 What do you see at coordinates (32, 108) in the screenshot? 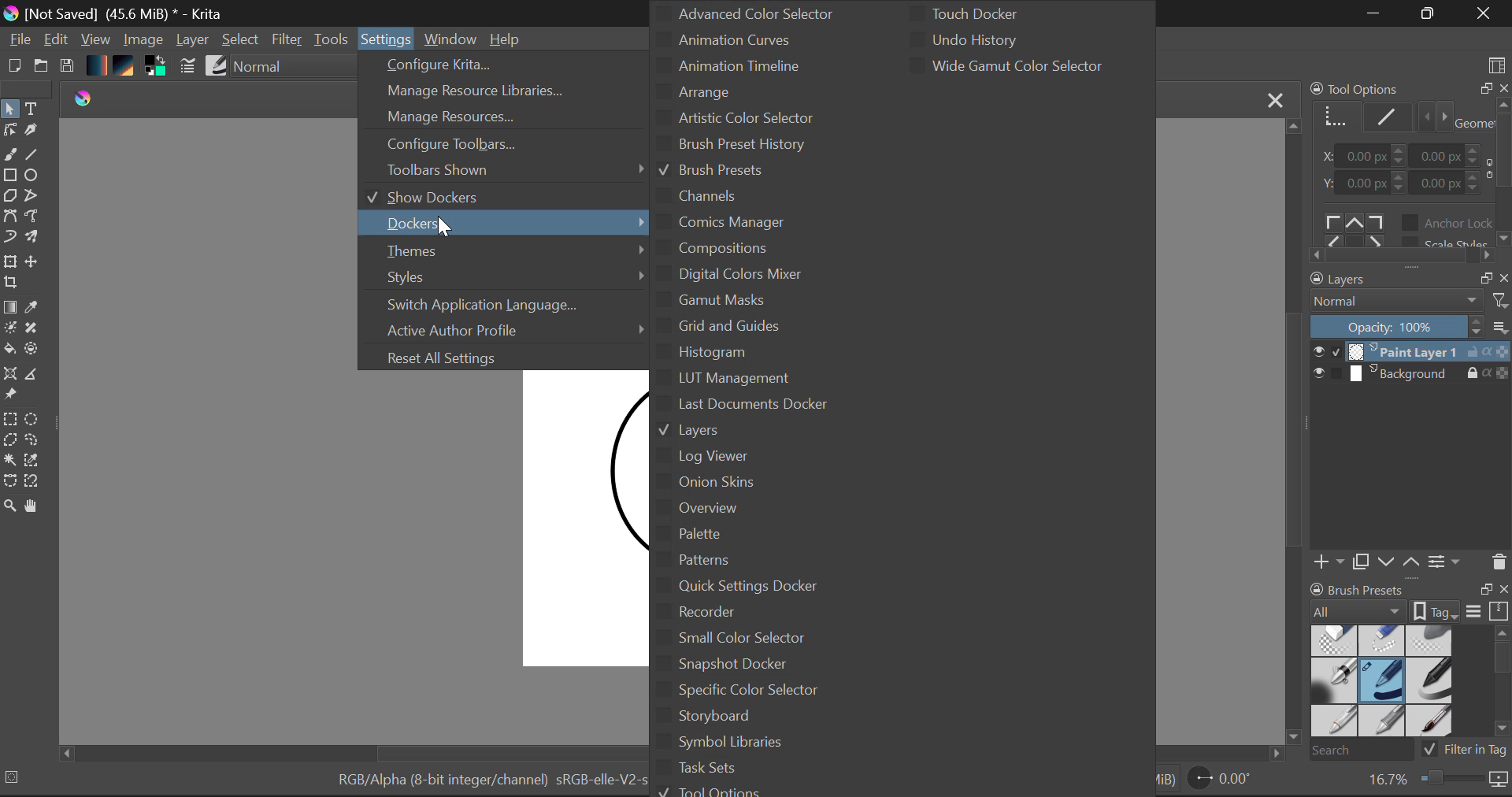
I see `Text` at bounding box center [32, 108].